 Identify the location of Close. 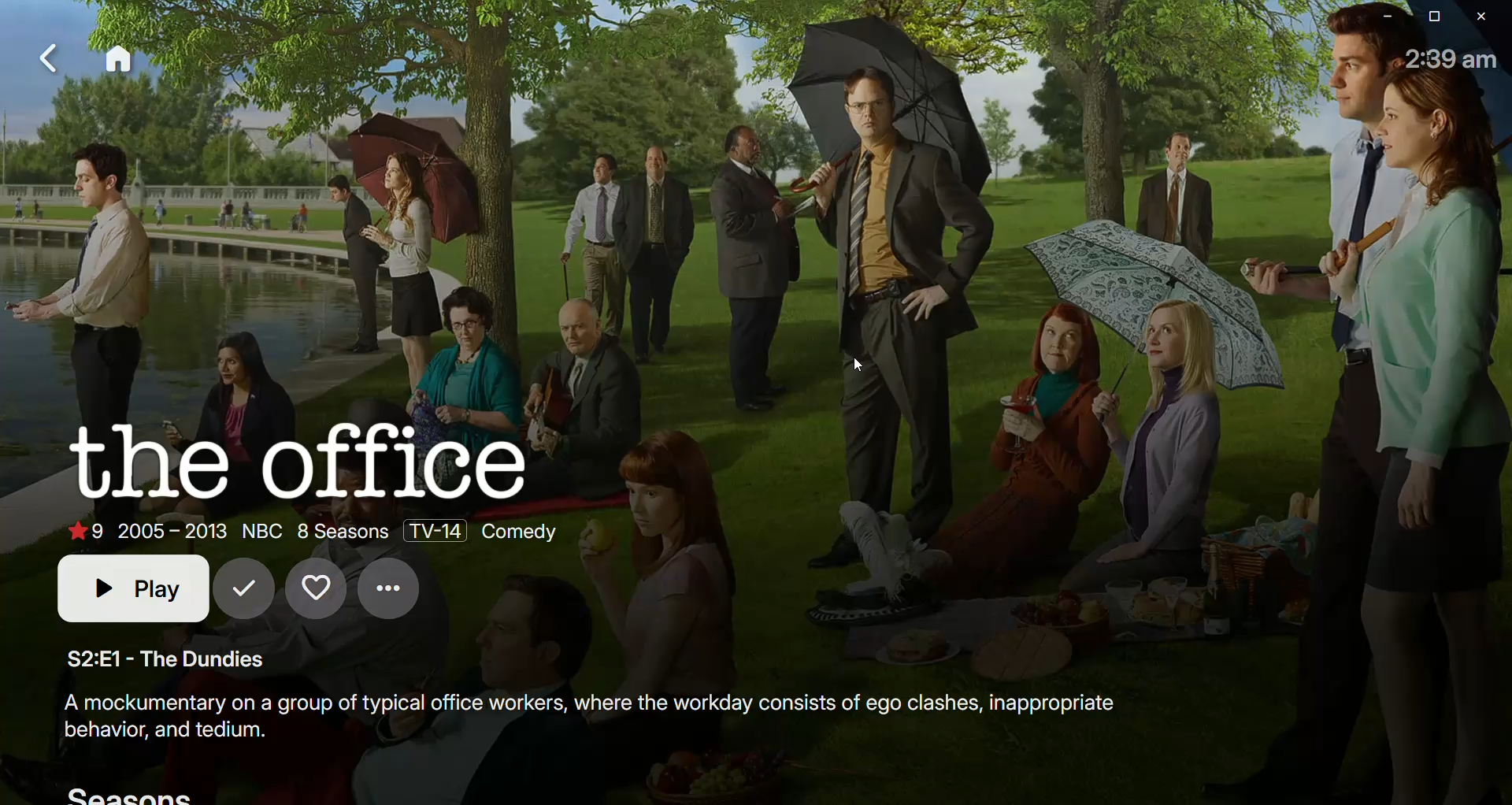
(1474, 17).